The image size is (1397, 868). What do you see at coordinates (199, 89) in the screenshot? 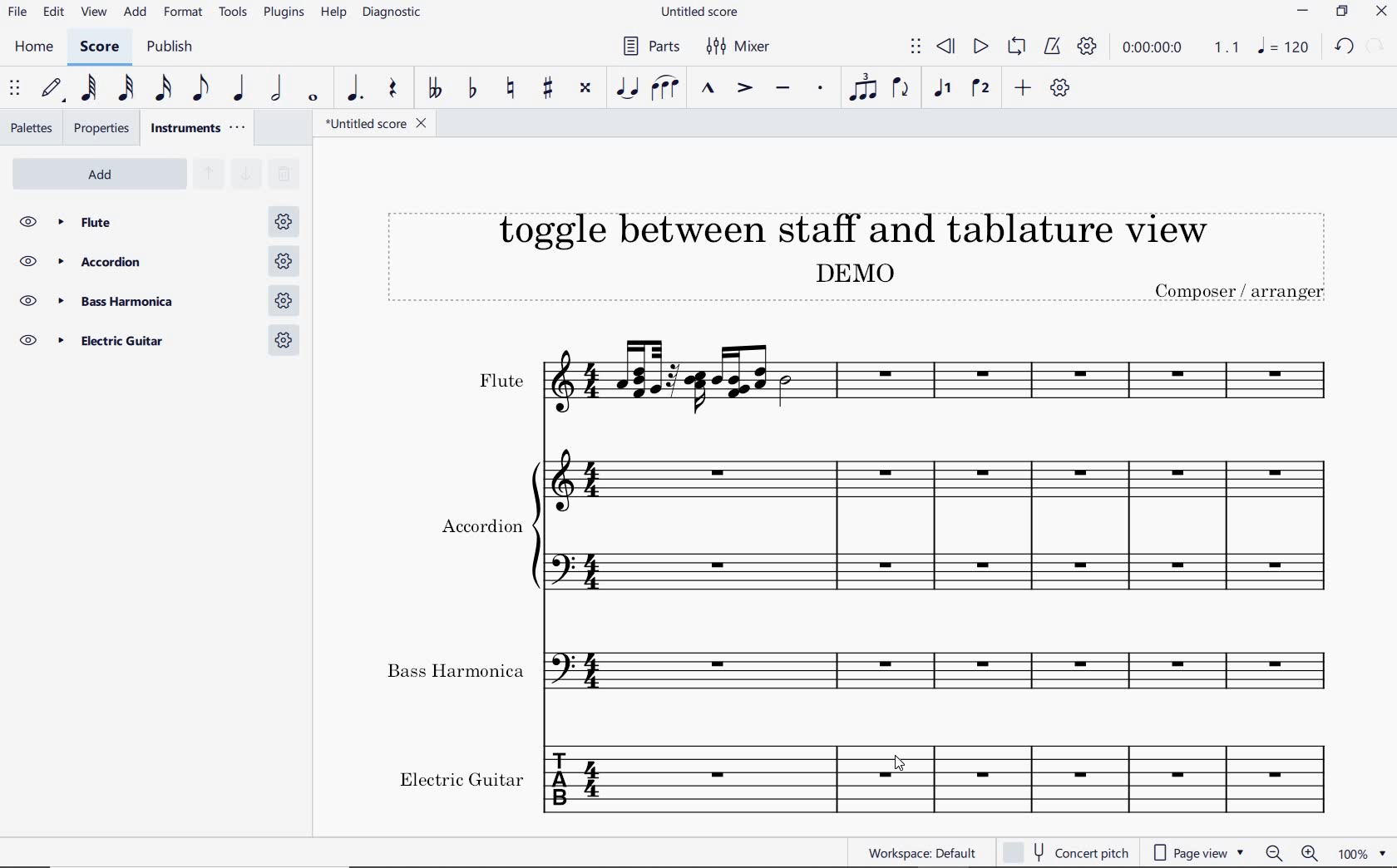
I see `eighth note` at bounding box center [199, 89].